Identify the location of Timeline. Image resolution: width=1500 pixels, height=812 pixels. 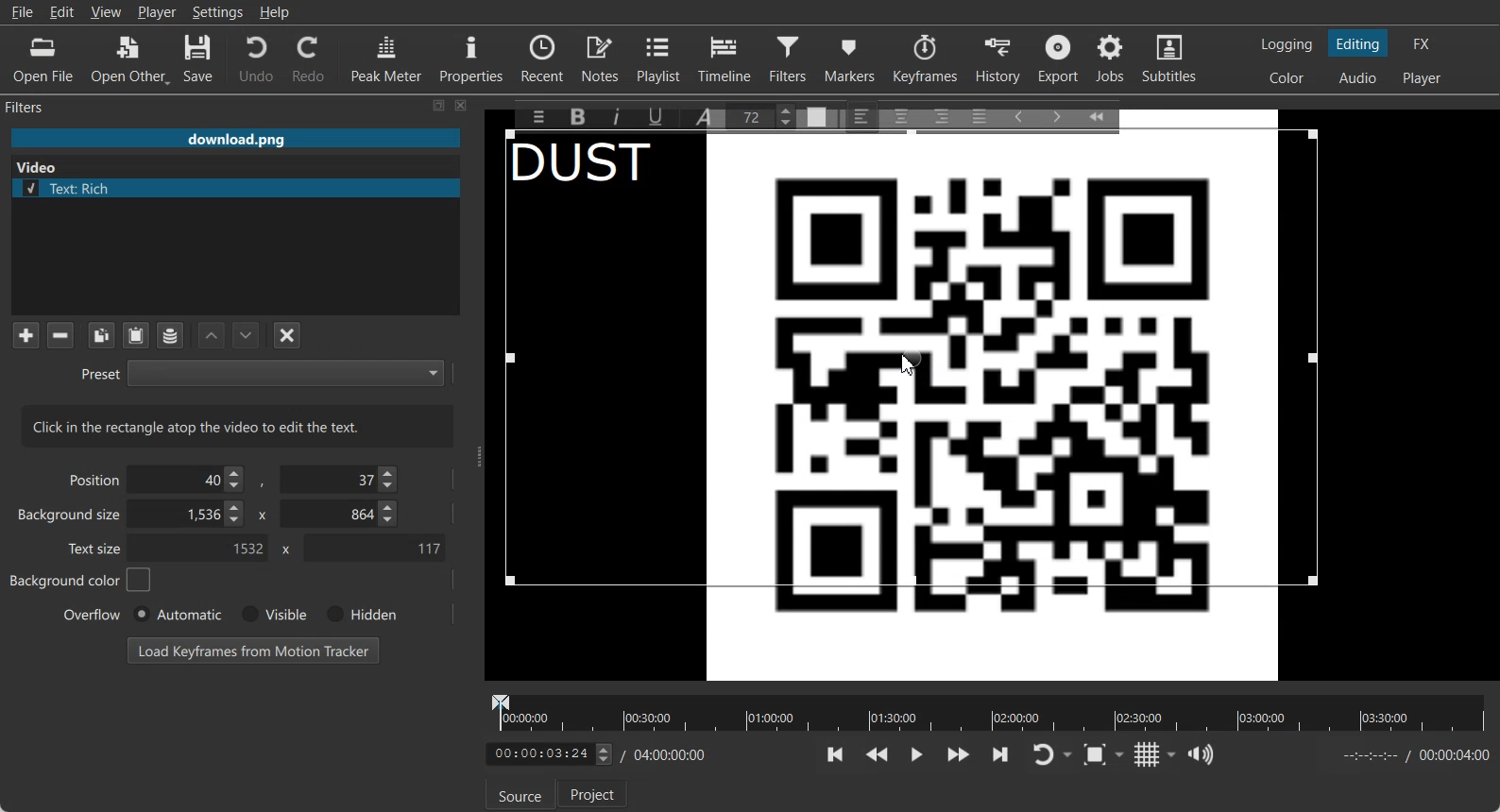
(725, 58).